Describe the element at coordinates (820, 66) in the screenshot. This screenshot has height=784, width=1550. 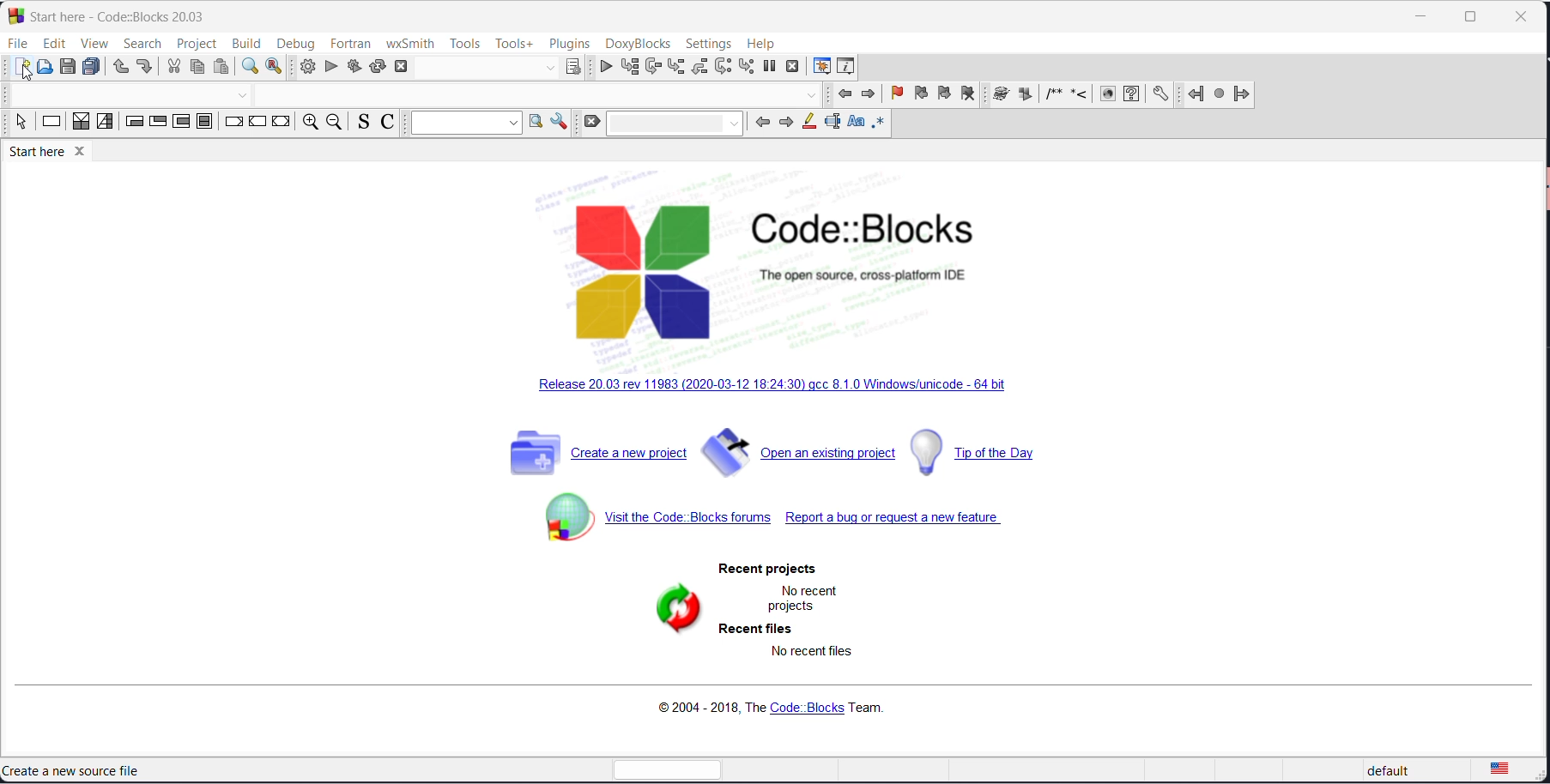
I see `debugging windows` at that location.